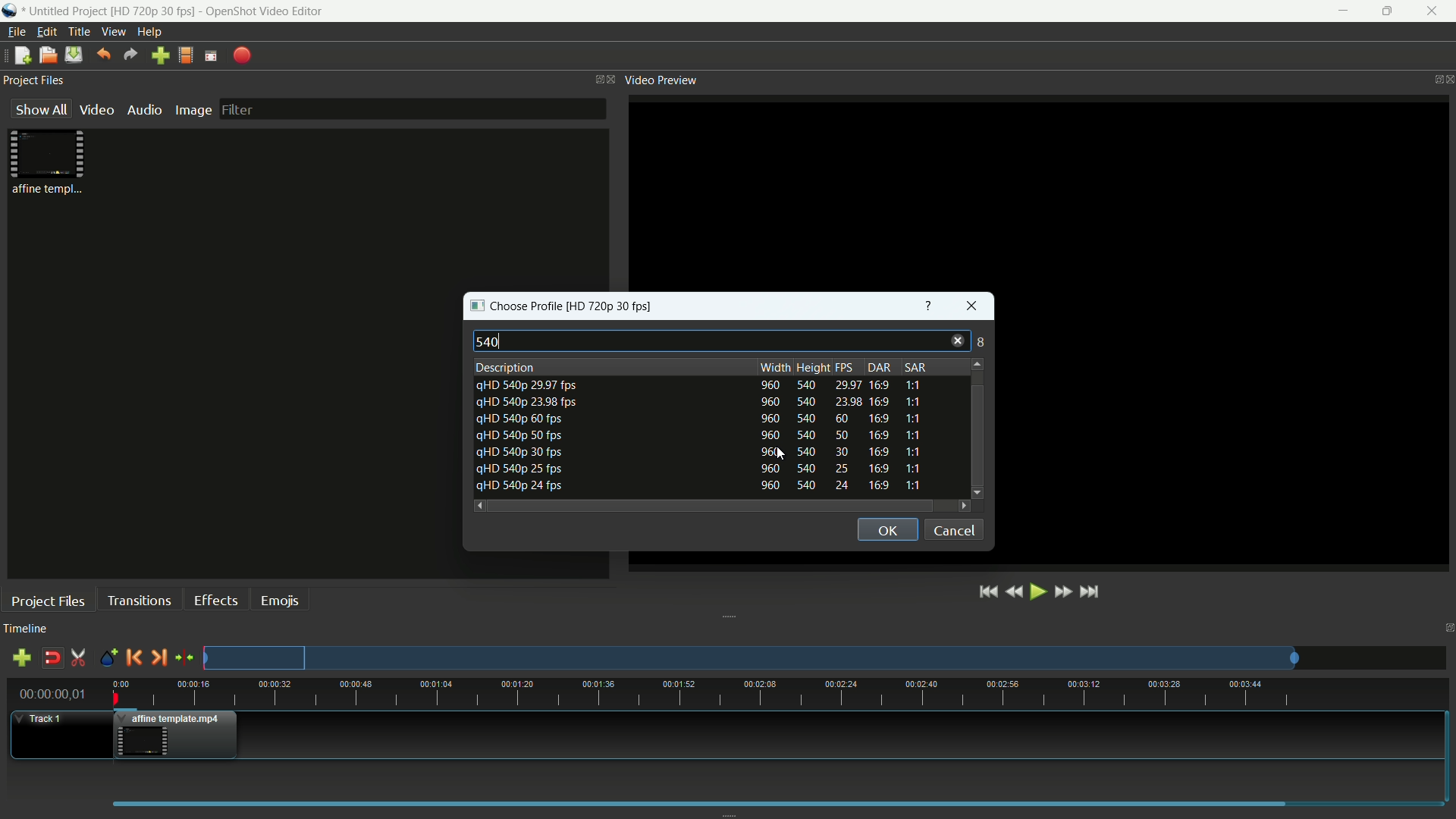 This screenshot has width=1456, height=819. Describe the element at coordinates (192, 110) in the screenshot. I see `image` at that location.